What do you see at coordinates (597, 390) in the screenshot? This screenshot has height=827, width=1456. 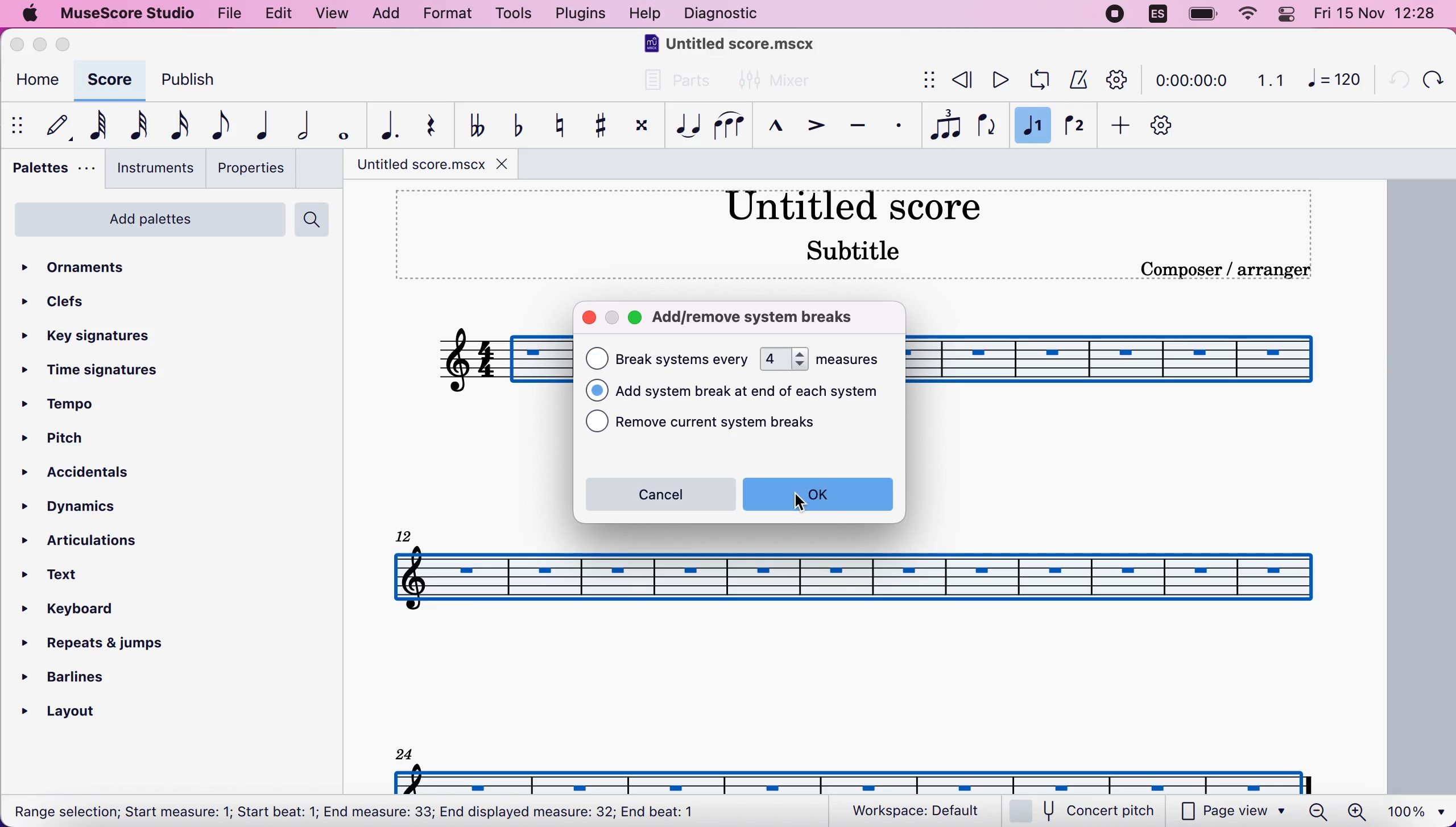 I see `checkbox` at bounding box center [597, 390].